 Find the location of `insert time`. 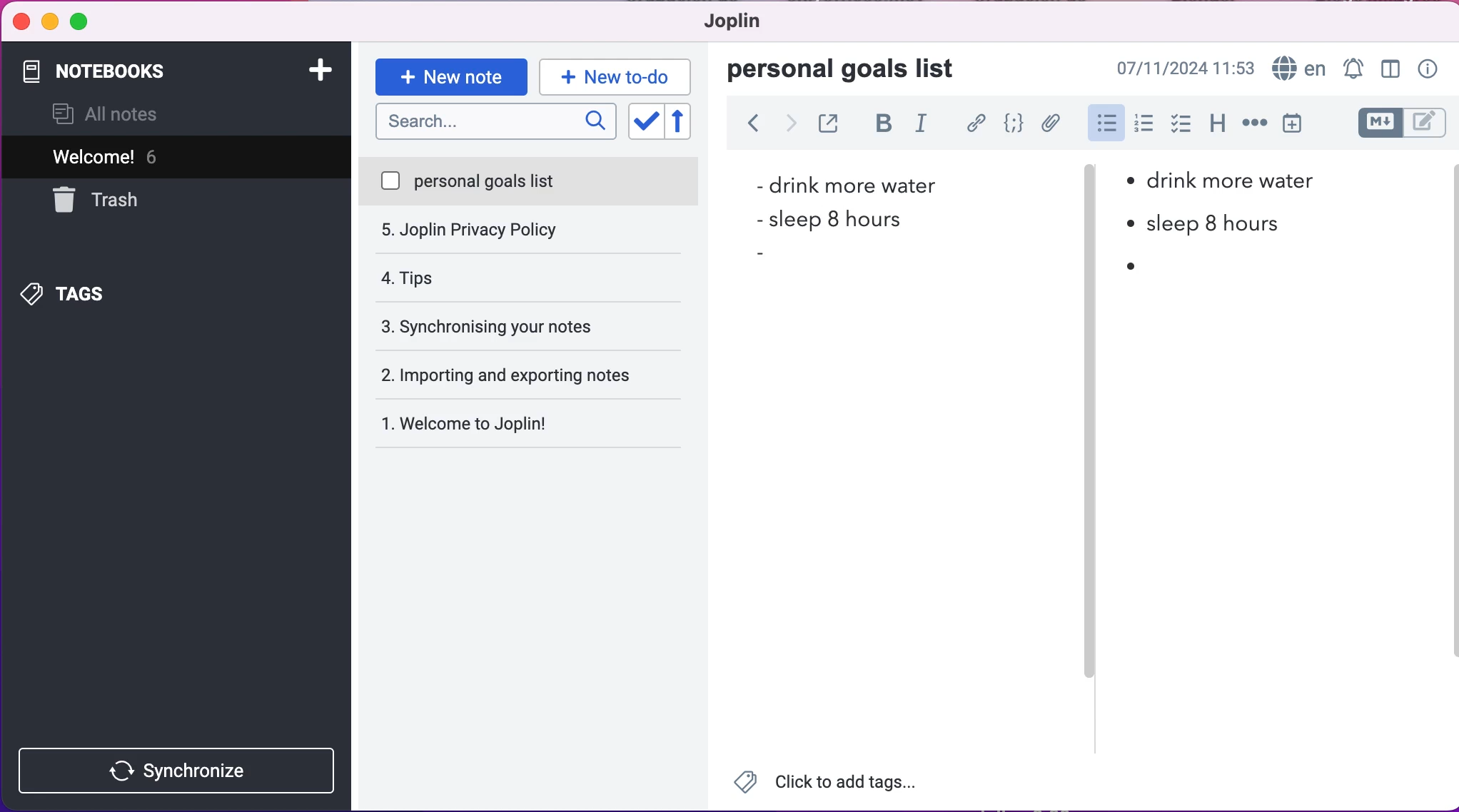

insert time is located at coordinates (1298, 126).